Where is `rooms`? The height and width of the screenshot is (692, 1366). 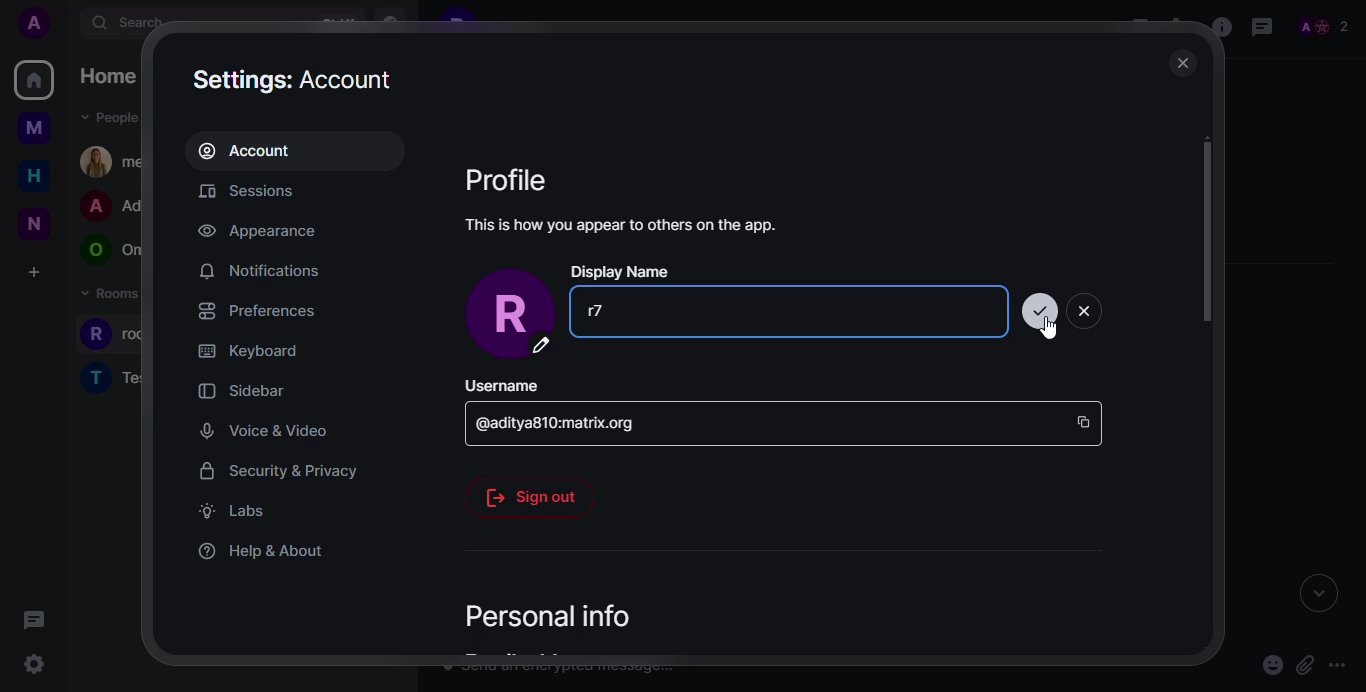
rooms is located at coordinates (112, 337).